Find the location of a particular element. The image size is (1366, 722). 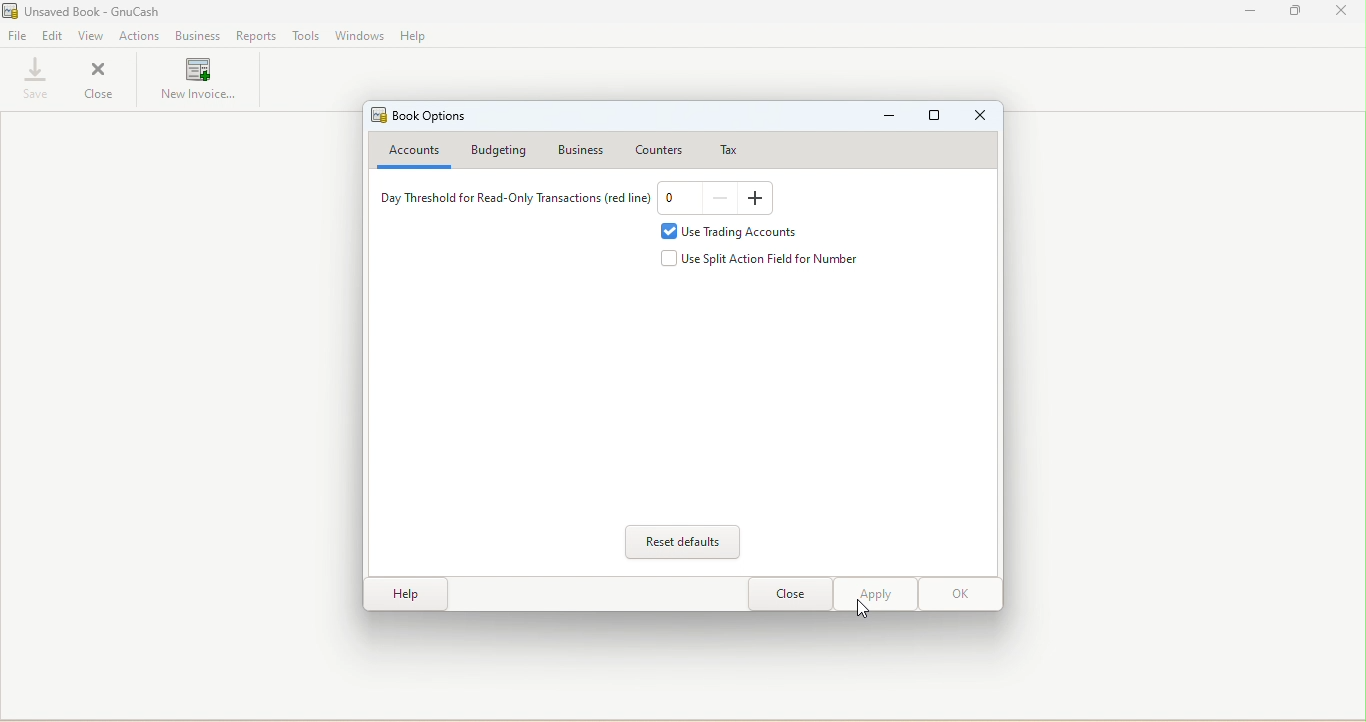

Edit is located at coordinates (53, 38).